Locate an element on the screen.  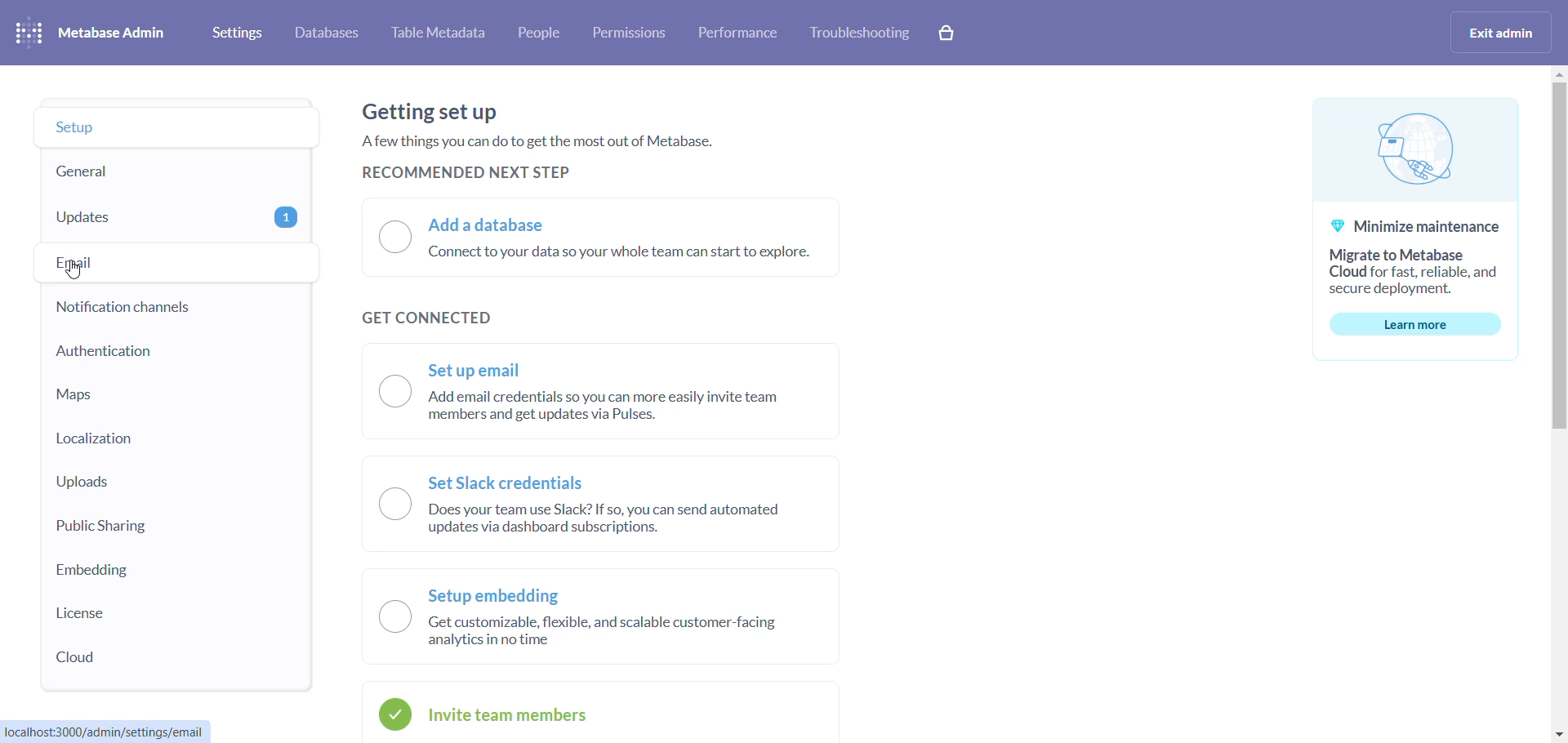
notification channel is located at coordinates (149, 309).